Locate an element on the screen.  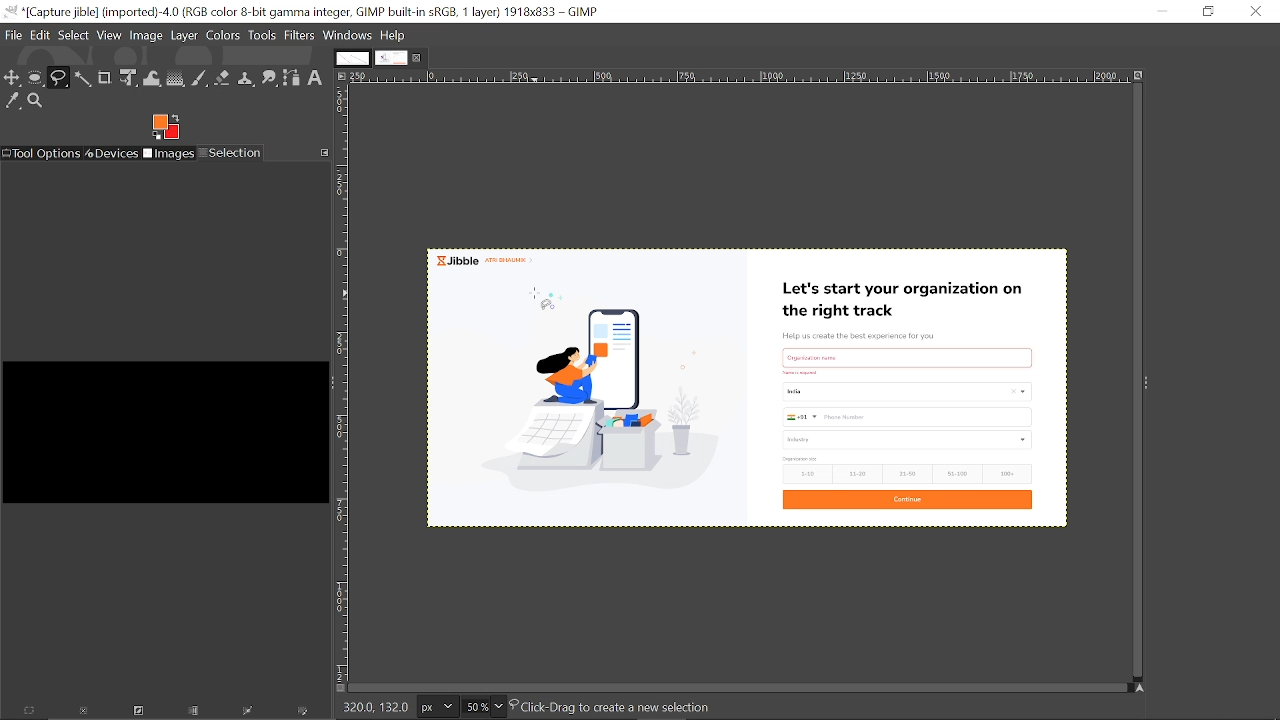
Paintbrush tool is located at coordinates (200, 79).